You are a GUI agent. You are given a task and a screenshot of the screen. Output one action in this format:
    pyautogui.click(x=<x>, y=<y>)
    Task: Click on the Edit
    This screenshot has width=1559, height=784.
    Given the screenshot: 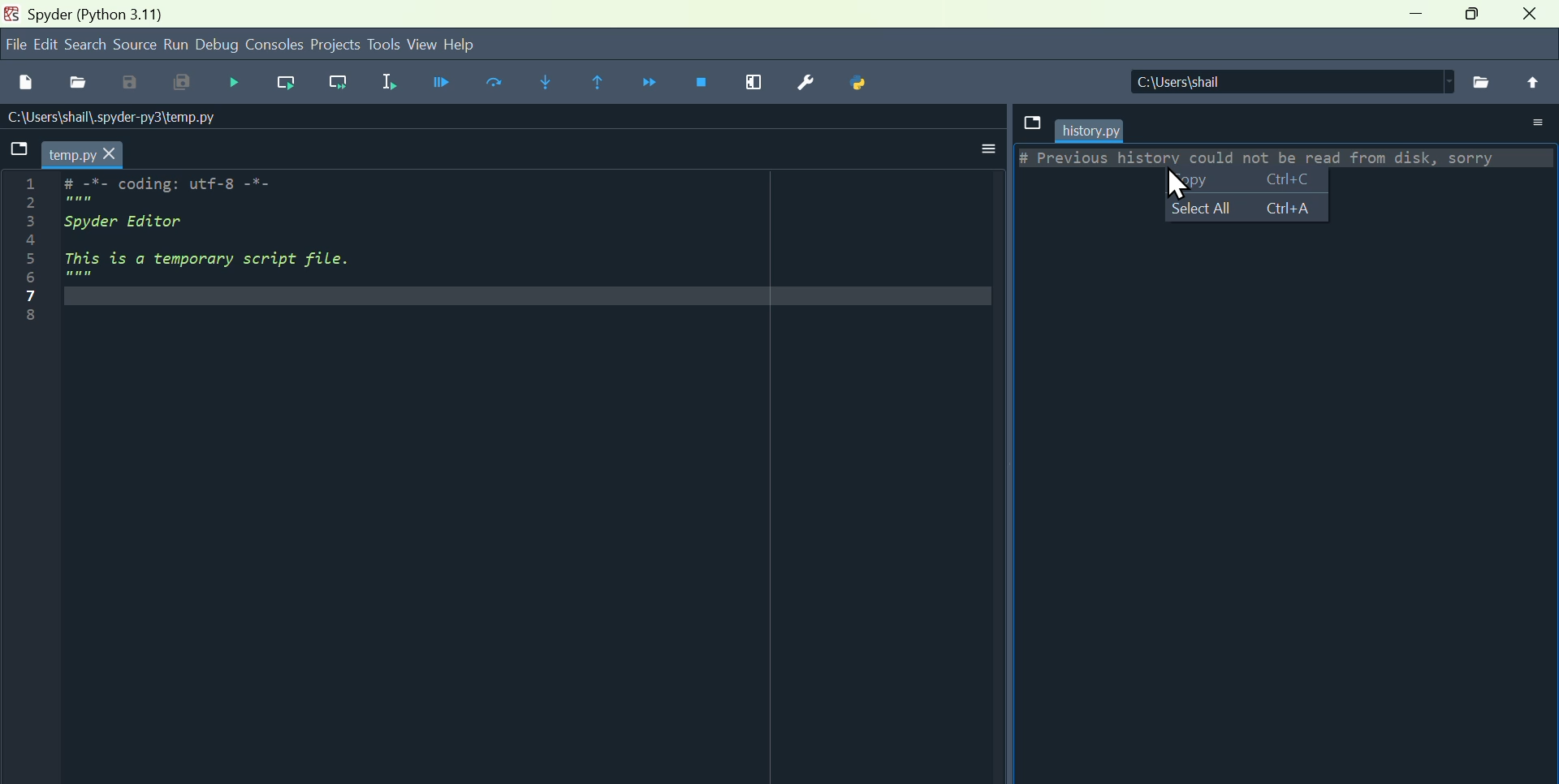 What is the action you would take?
    pyautogui.click(x=46, y=42)
    